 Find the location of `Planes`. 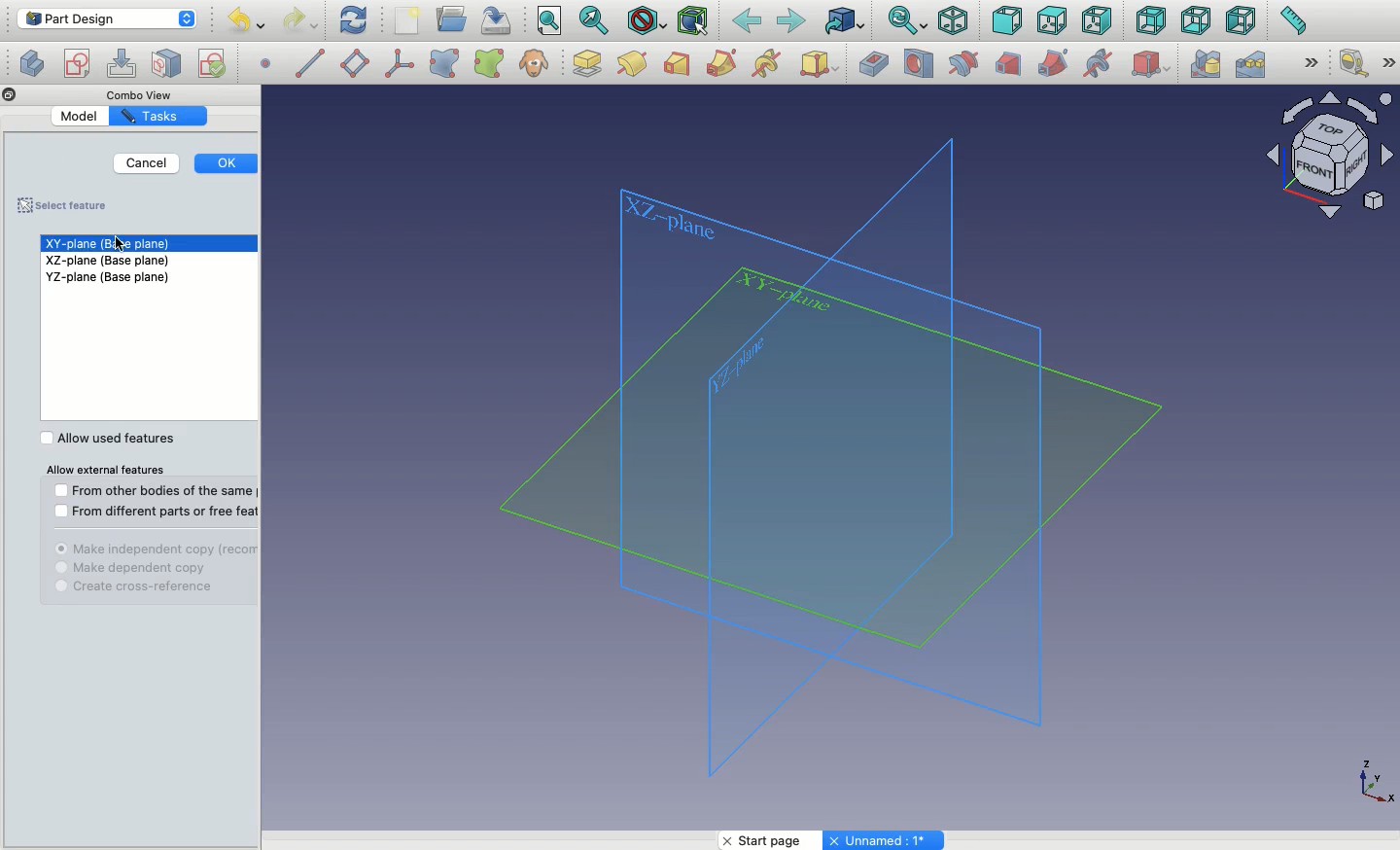

Planes is located at coordinates (840, 460).